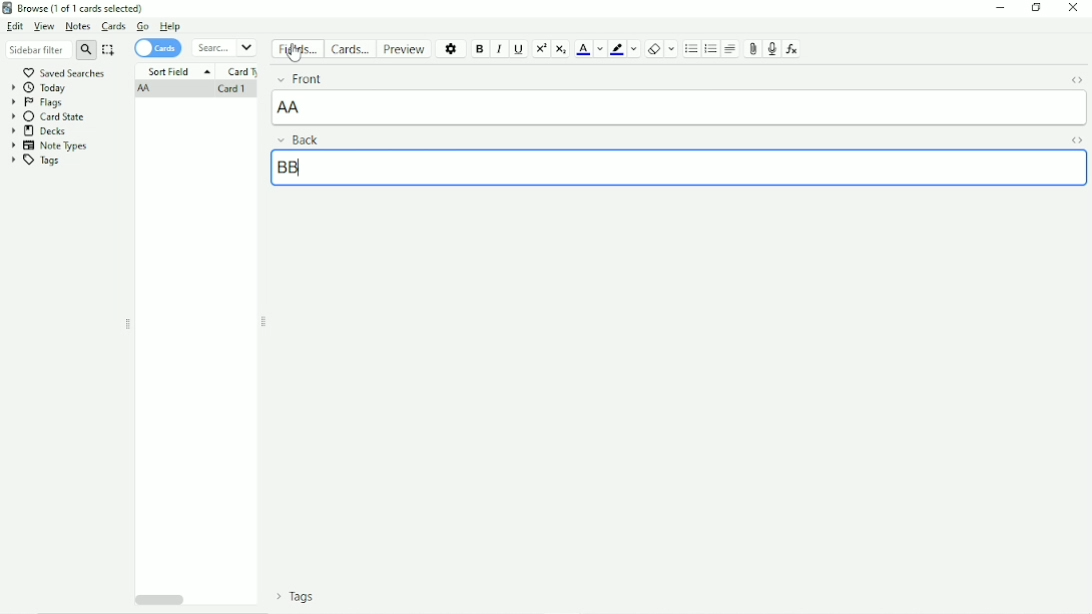 This screenshot has width=1092, height=614. I want to click on Preview, so click(405, 49).